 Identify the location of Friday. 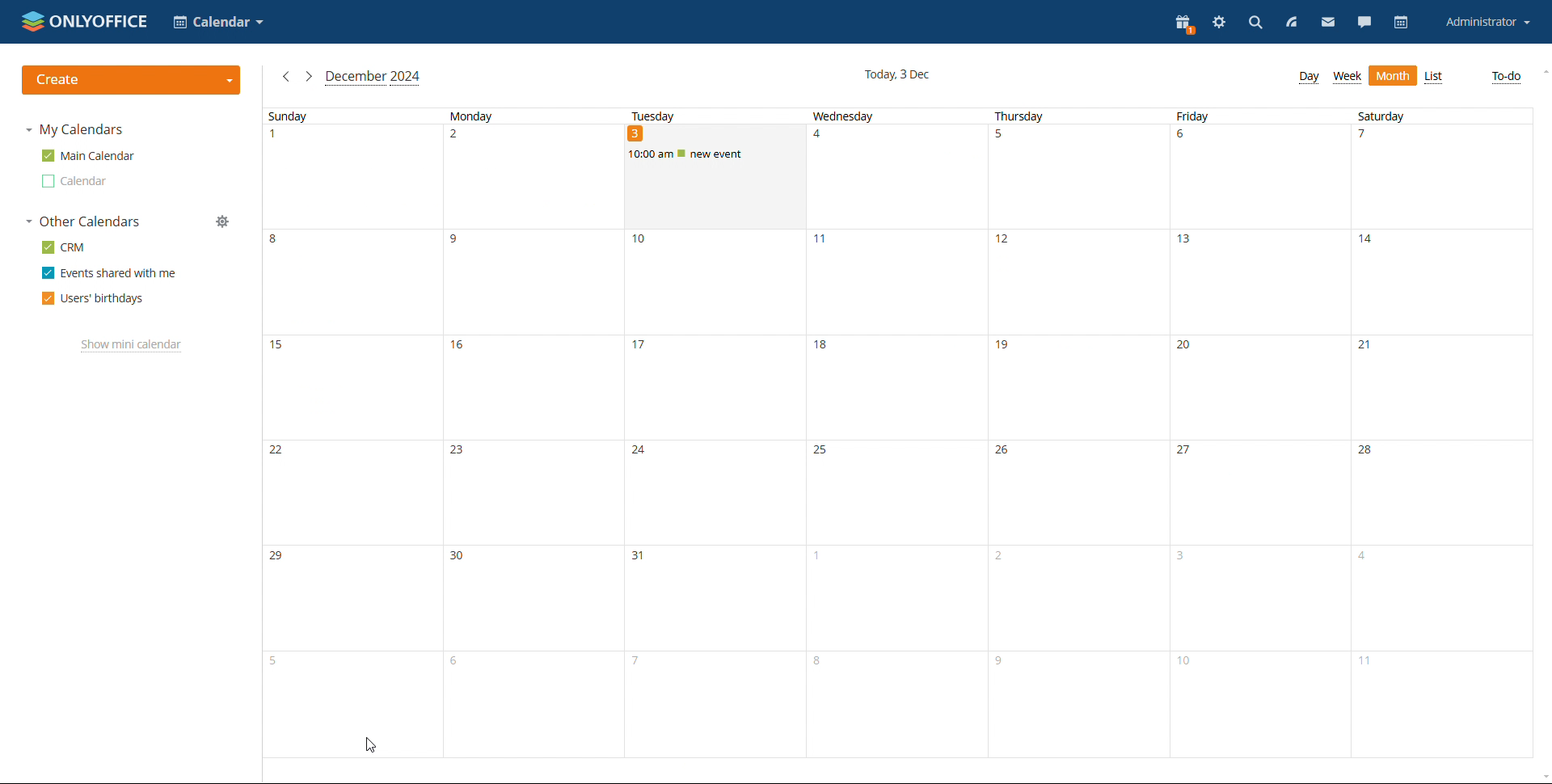
(1255, 116).